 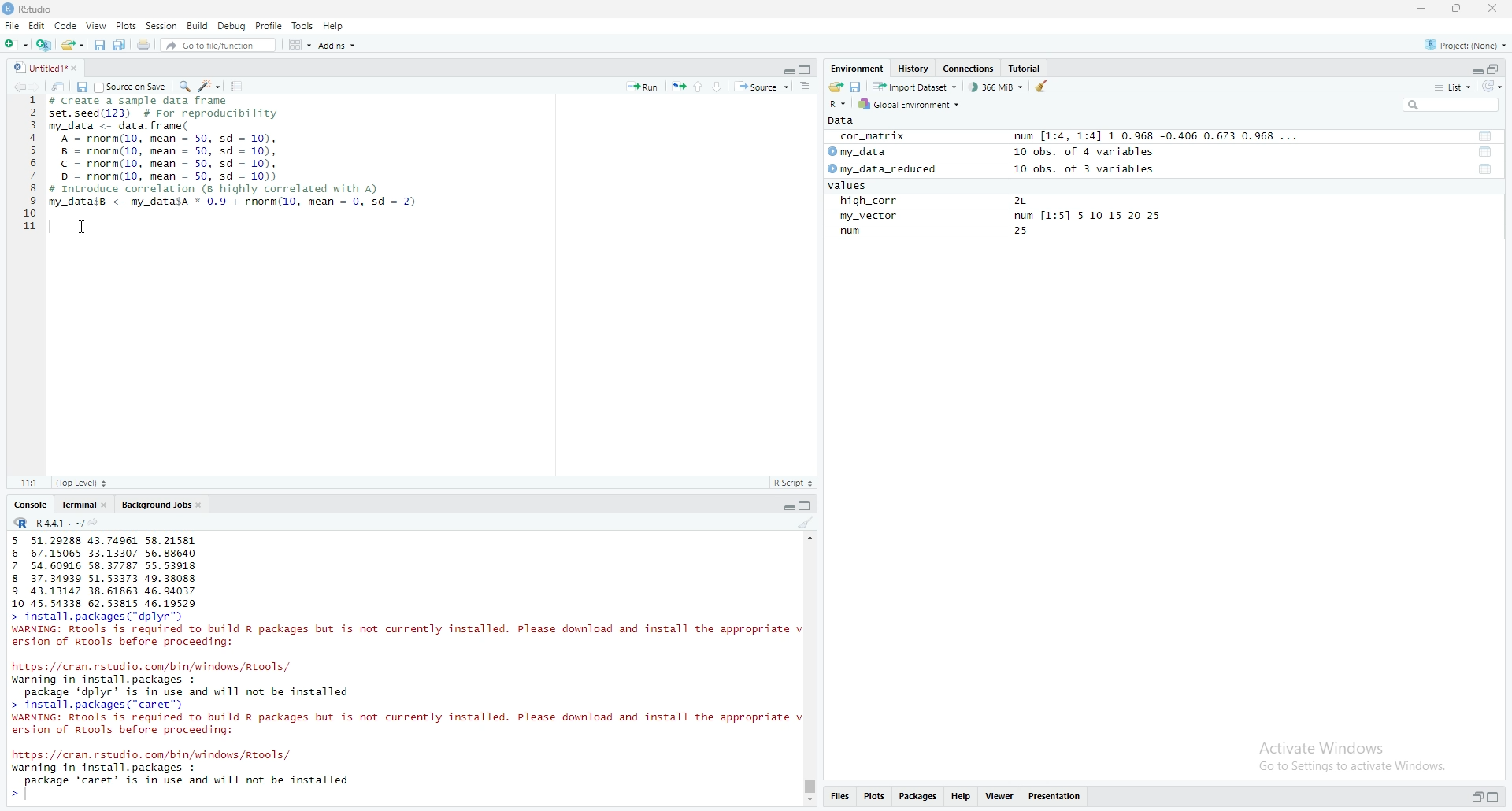 I want to click on (Top level), so click(x=84, y=483).